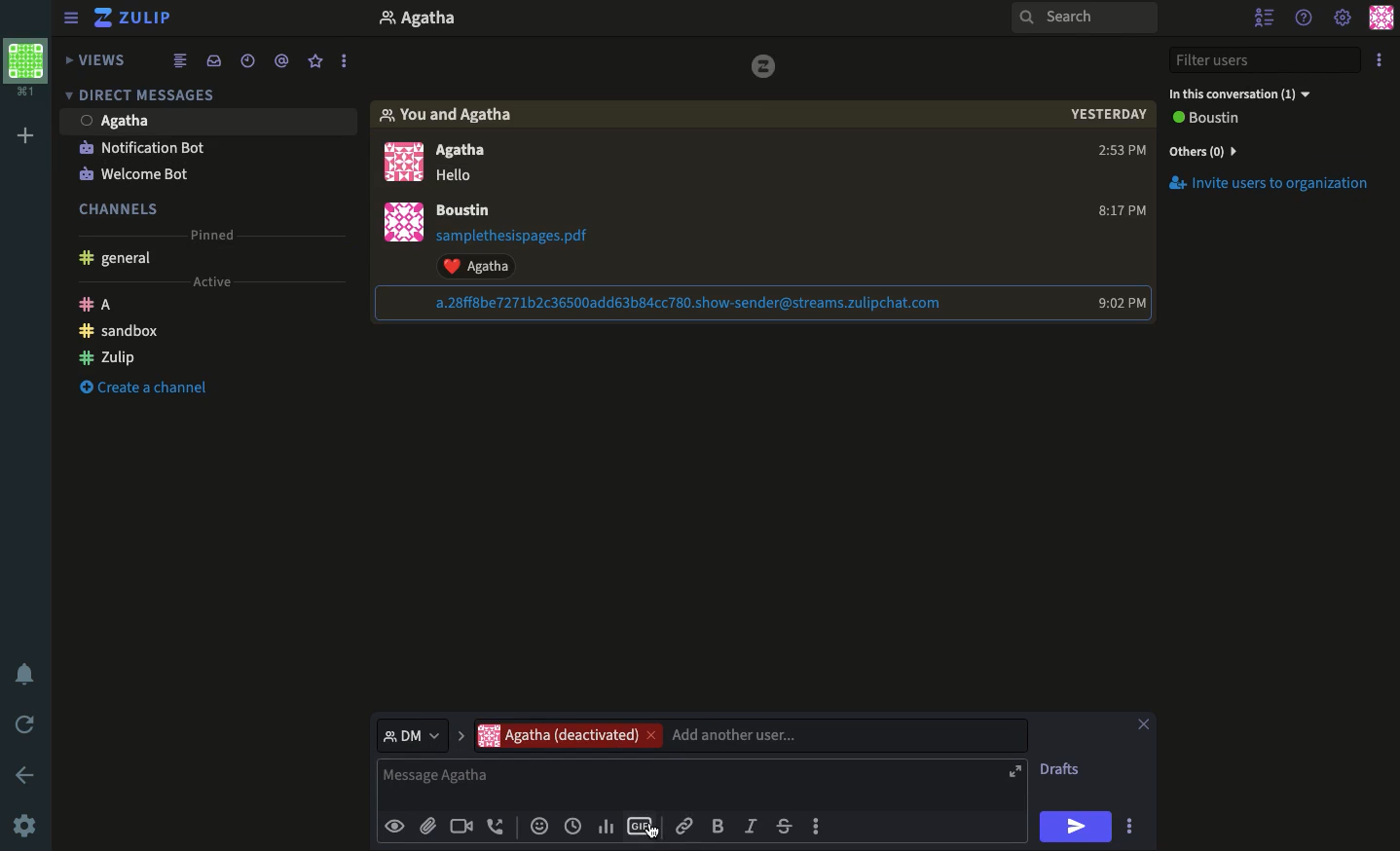 The image size is (1400, 851). Describe the element at coordinates (1107, 120) in the screenshot. I see `Time` at that location.